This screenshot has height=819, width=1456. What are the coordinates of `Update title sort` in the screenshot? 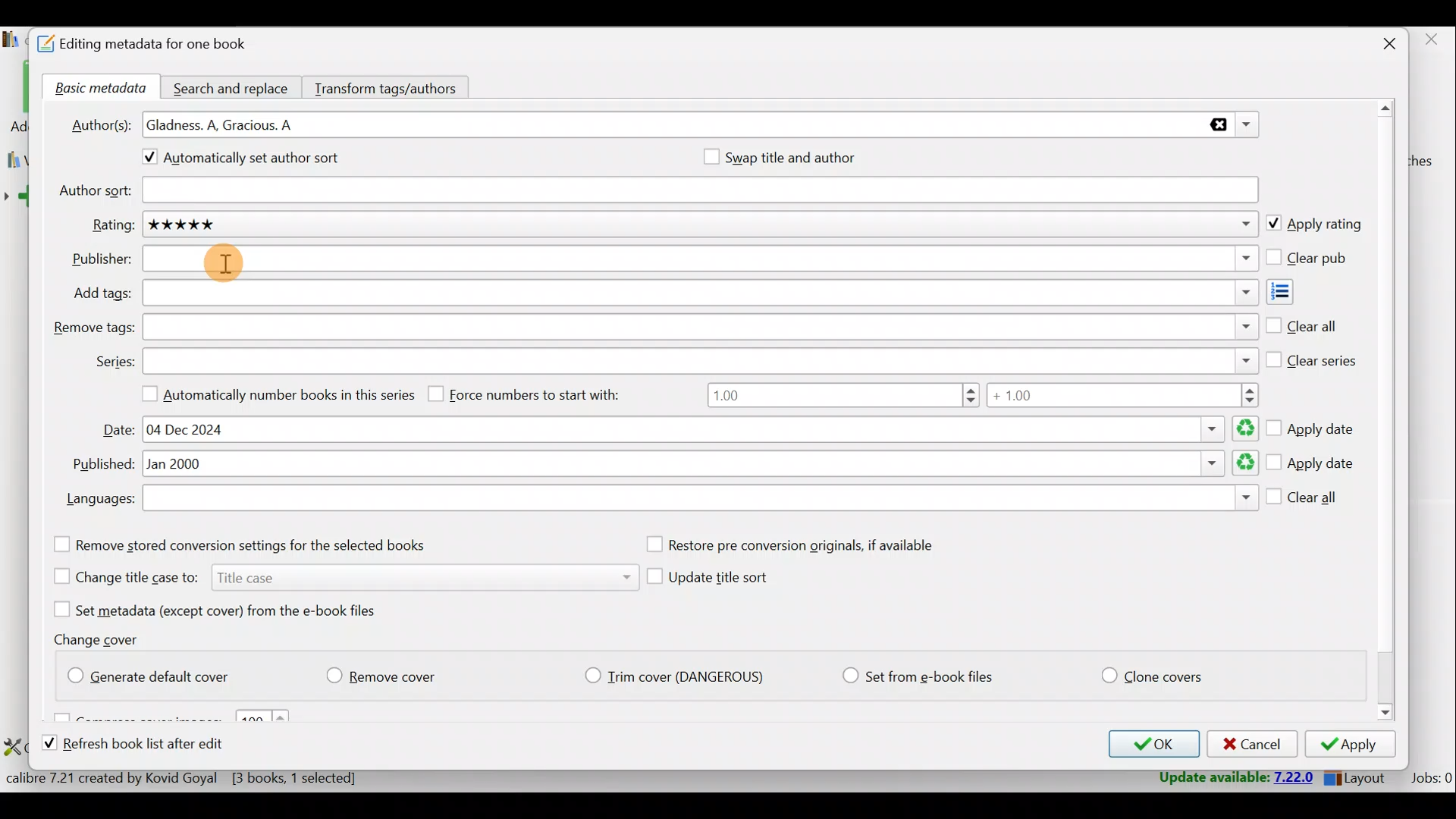 It's located at (722, 580).